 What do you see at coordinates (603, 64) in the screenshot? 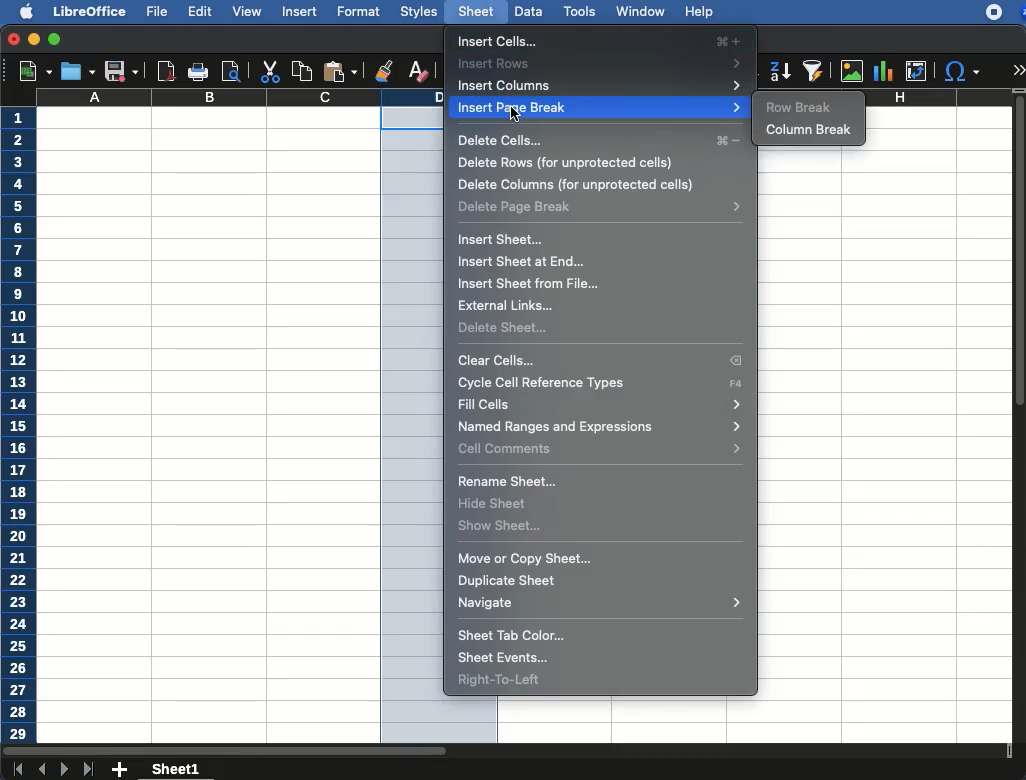
I see `insert rows` at bounding box center [603, 64].